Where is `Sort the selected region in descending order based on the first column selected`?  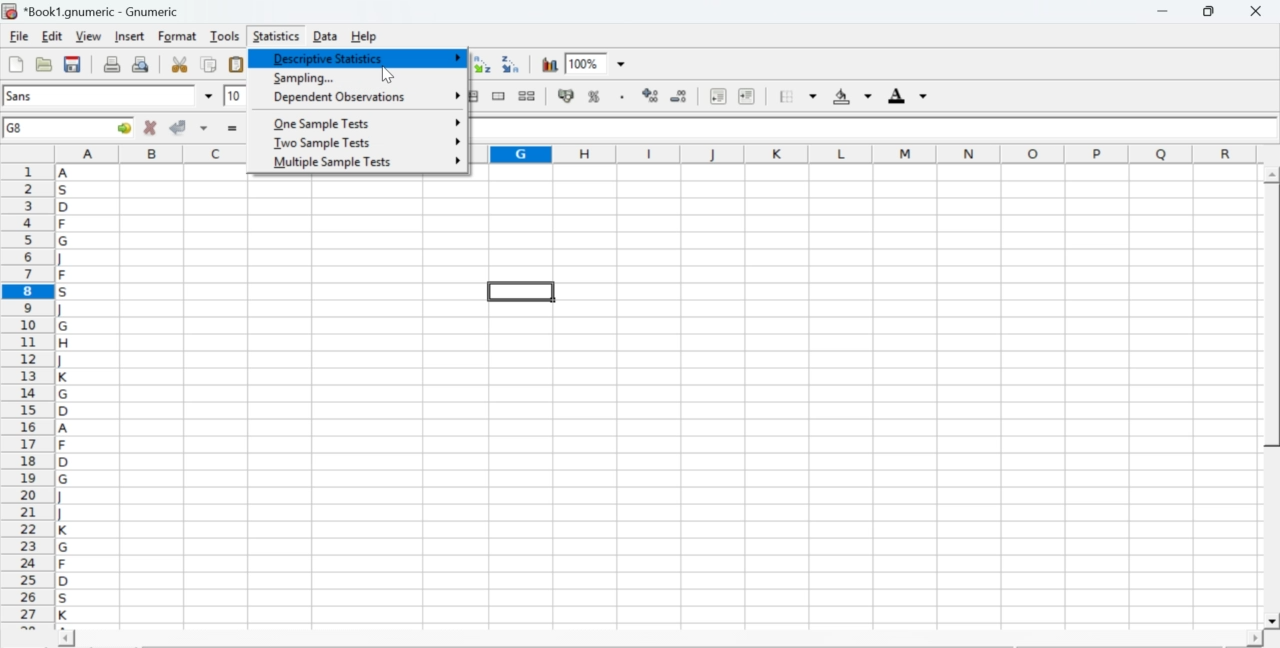
Sort the selected region in descending order based on the first column selected is located at coordinates (512, 62).